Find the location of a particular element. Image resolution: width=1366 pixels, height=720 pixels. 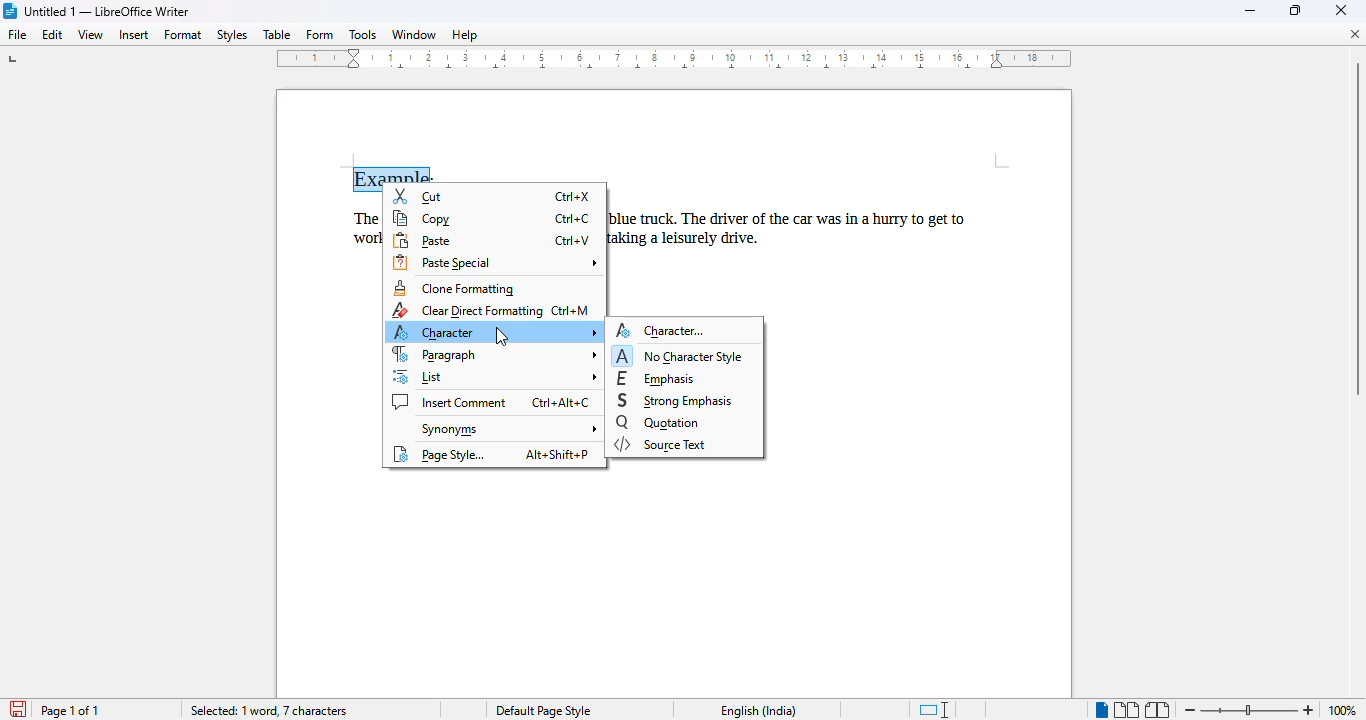

no character style is located at coordinates (679, 355).